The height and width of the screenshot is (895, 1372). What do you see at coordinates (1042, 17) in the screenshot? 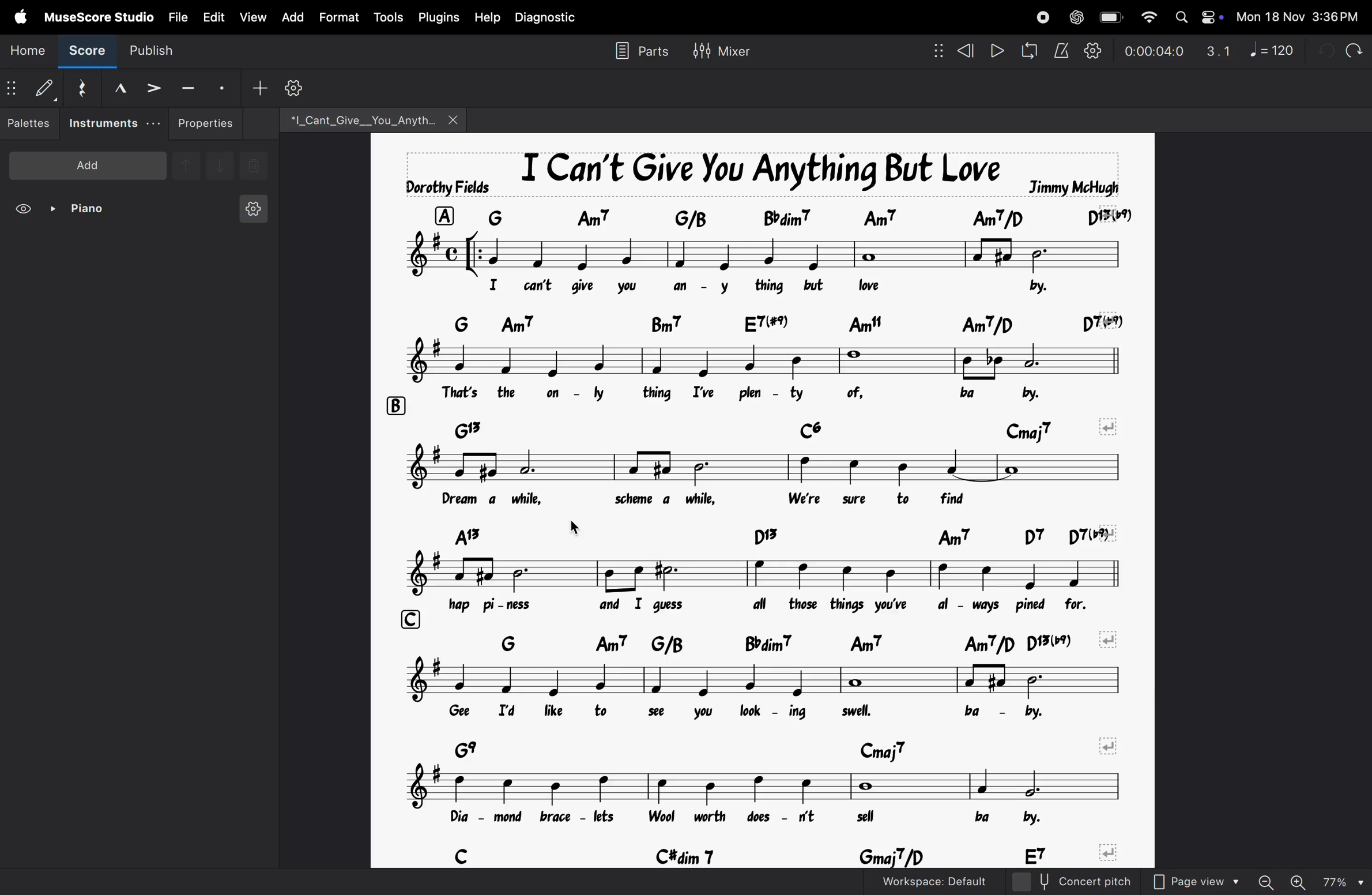
I see `record` at bounding box center [1042, 17].